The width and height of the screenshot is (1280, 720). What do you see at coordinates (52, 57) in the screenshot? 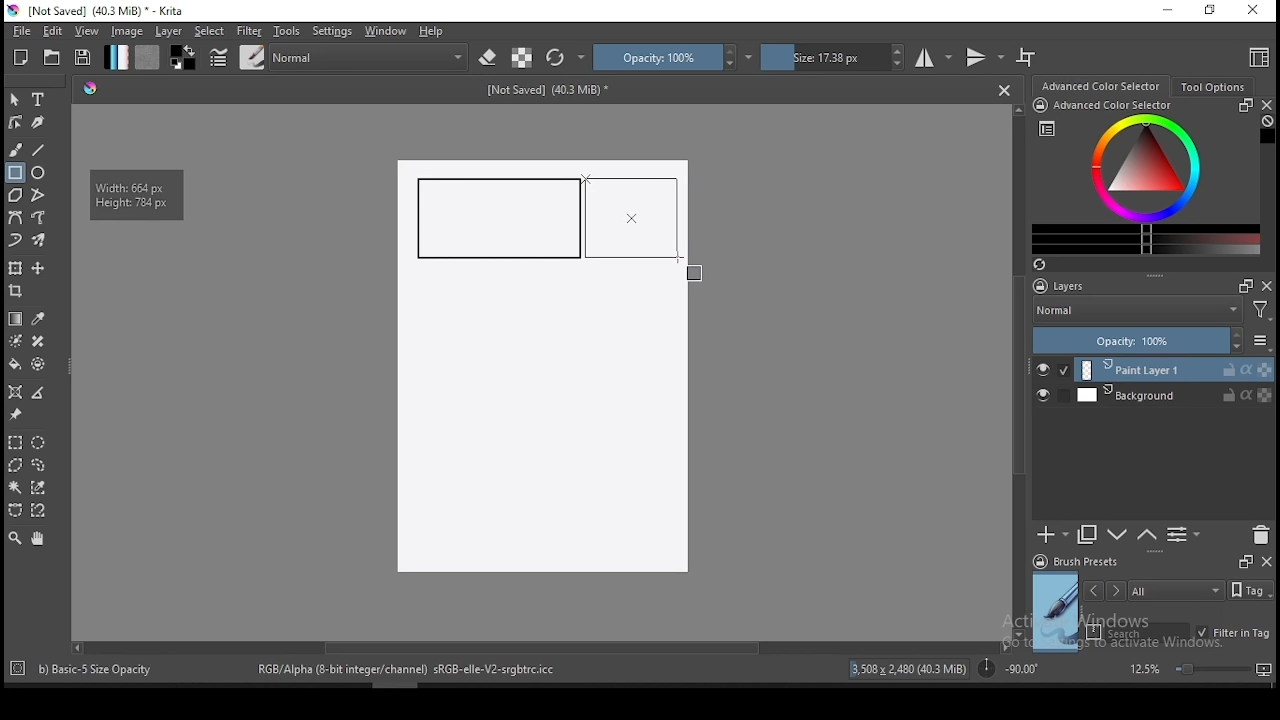
I see `open` at bounding box center [52, 57].